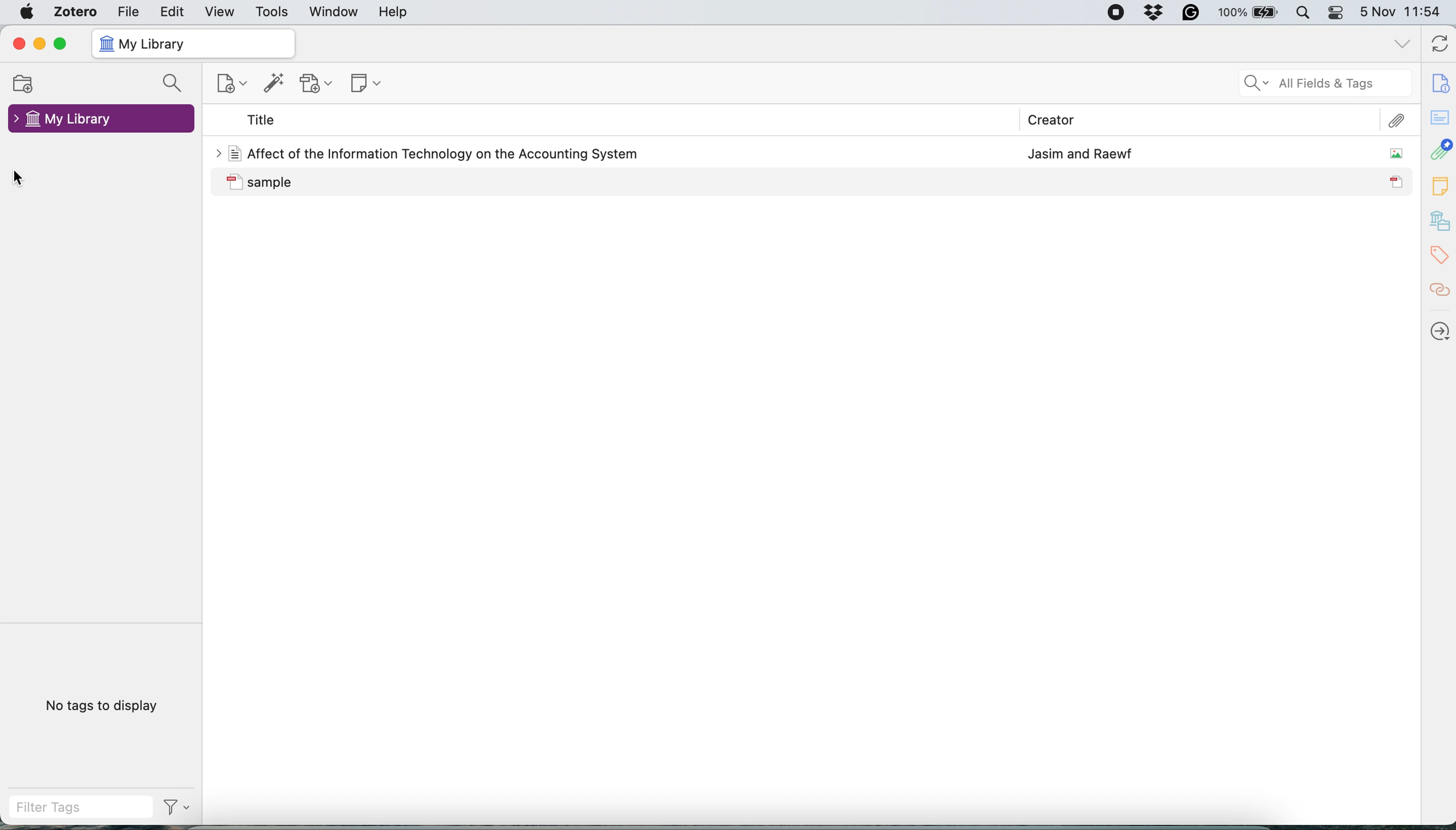  Describe the element at coordinates (52, 806) in the screenshot. I see `filter tags` at that location.